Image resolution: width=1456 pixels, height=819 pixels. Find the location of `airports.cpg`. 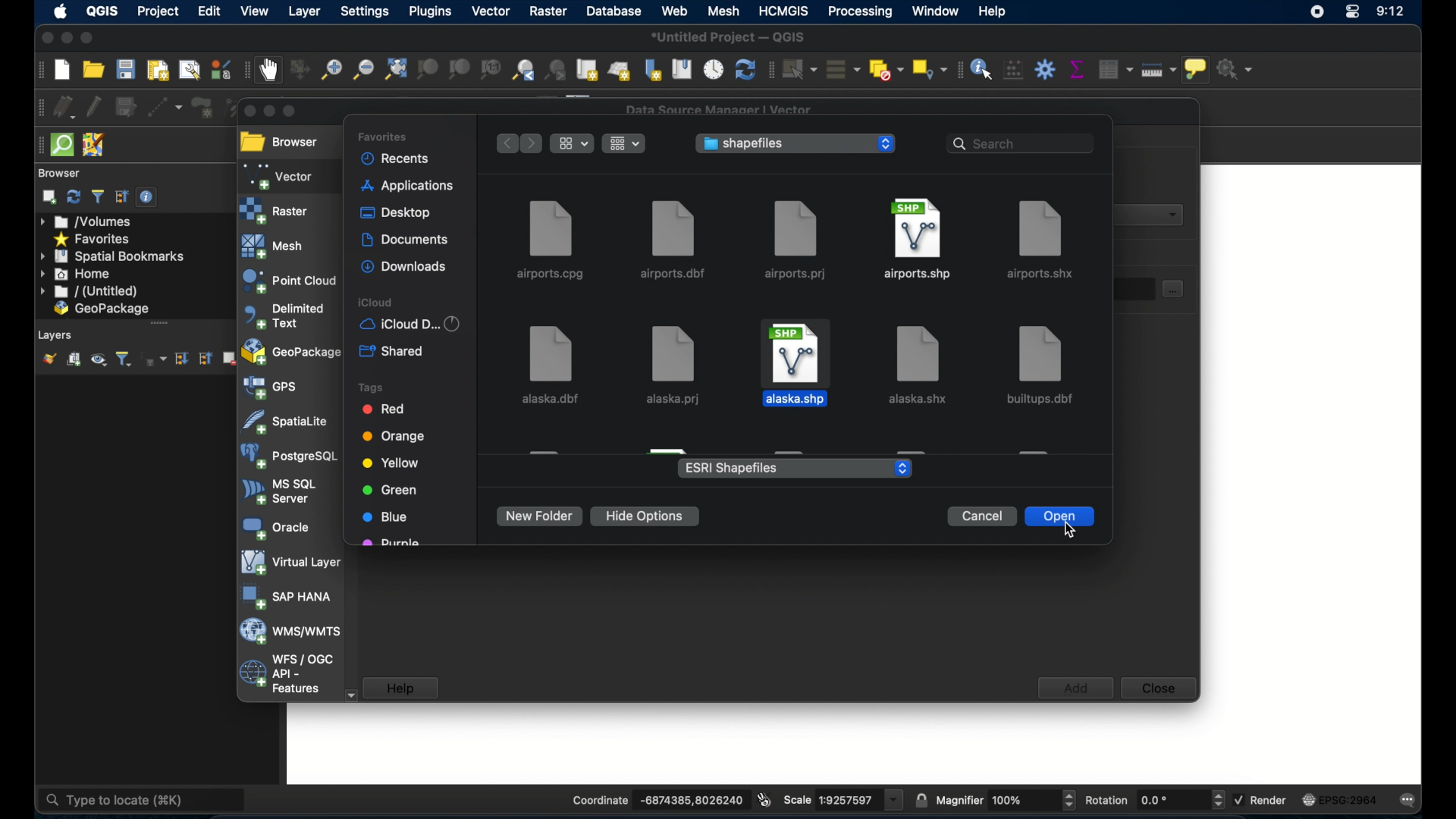

airports.cpg is located at coordinates (551, 240).